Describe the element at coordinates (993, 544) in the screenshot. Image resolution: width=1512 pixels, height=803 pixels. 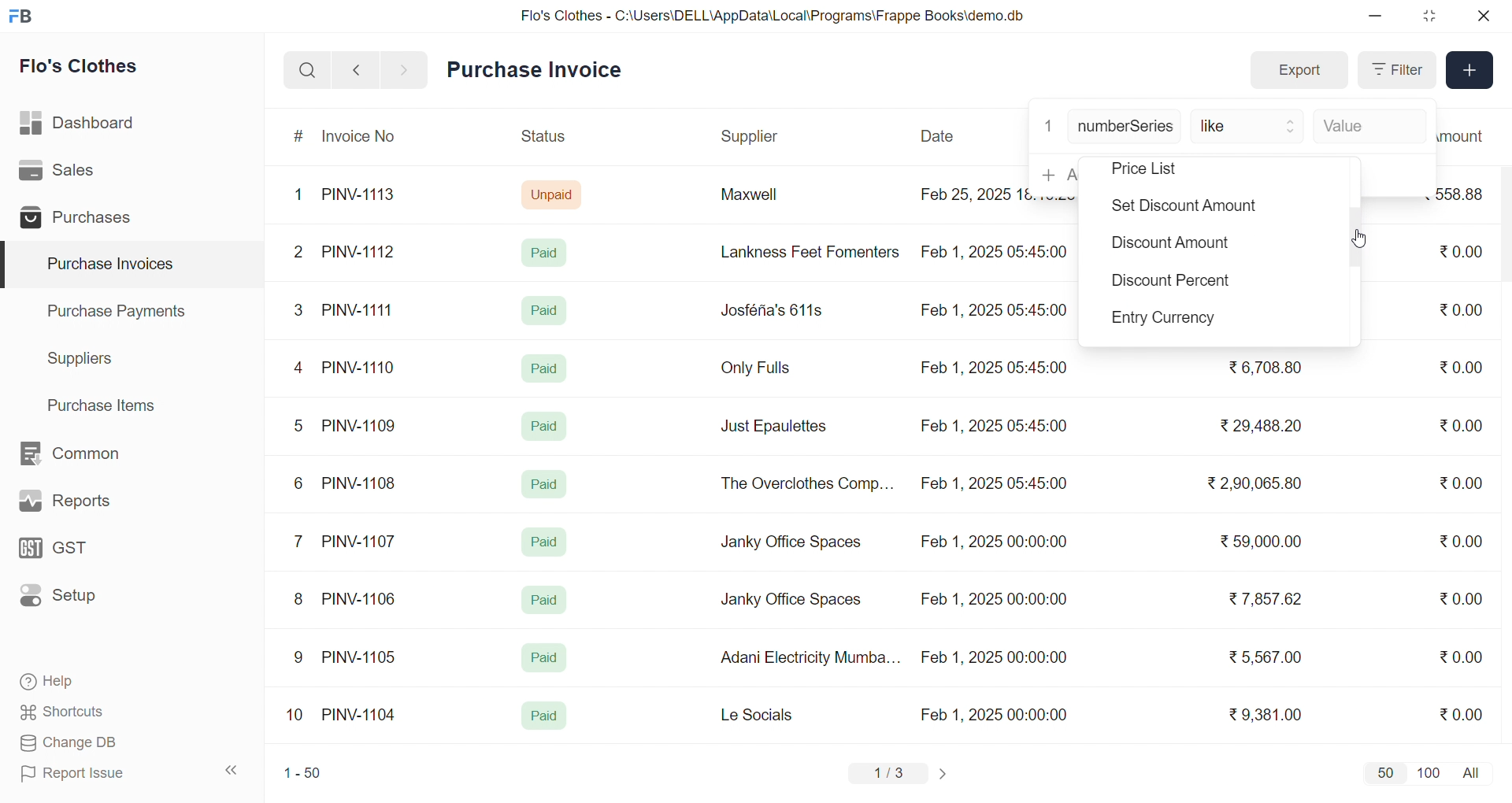
I see `Feb 1, 2025 00:00:00` at that location.